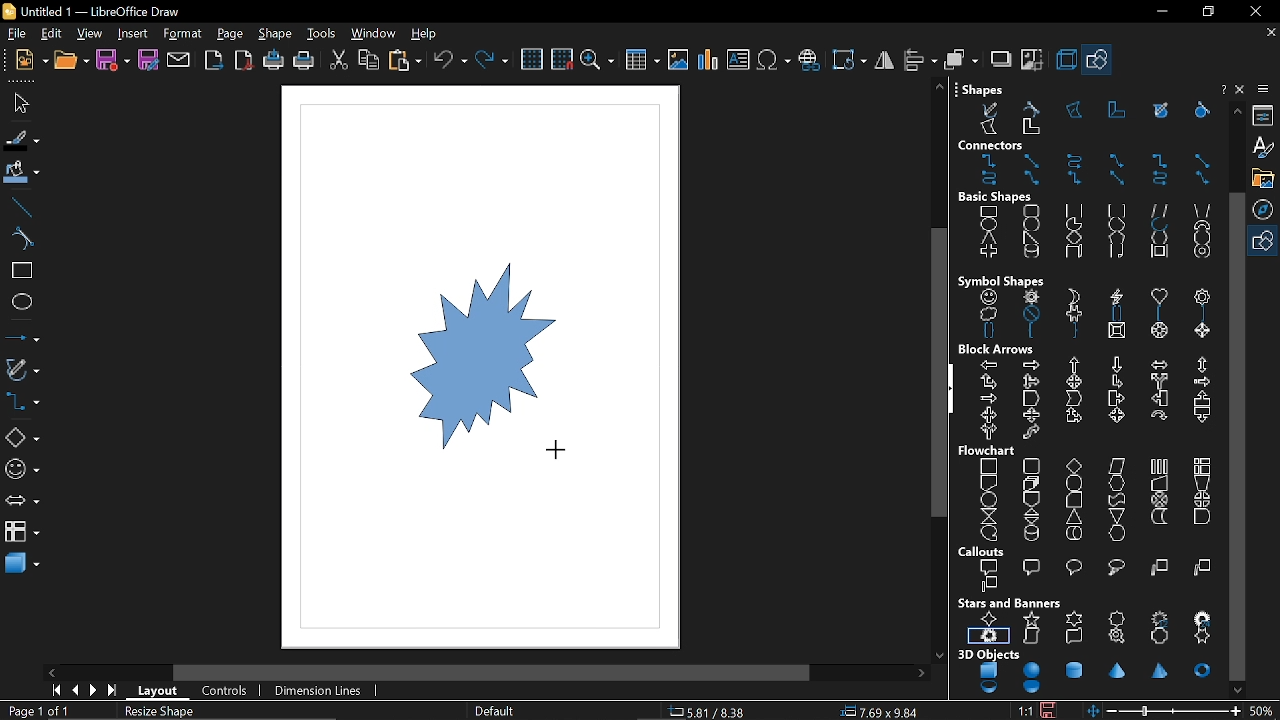 This screenshot has height=720, width=1280. What do you see at coordinates (1269, 31) in the screenshot?
I see `Close tab` at bounding box center [1269, 31].